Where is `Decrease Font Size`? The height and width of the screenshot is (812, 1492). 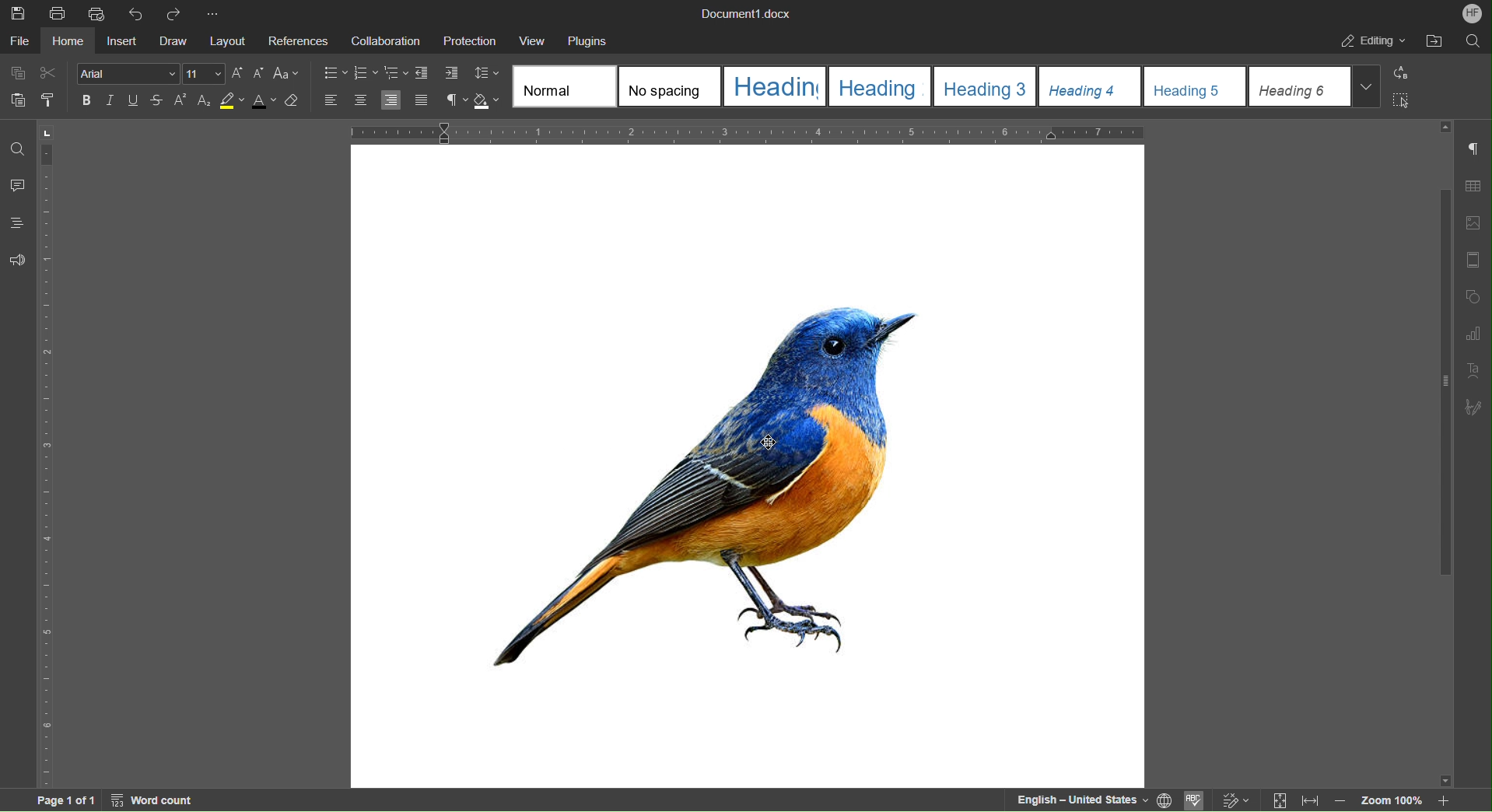 Decrease Font Size is located at coordinates (258, 73).